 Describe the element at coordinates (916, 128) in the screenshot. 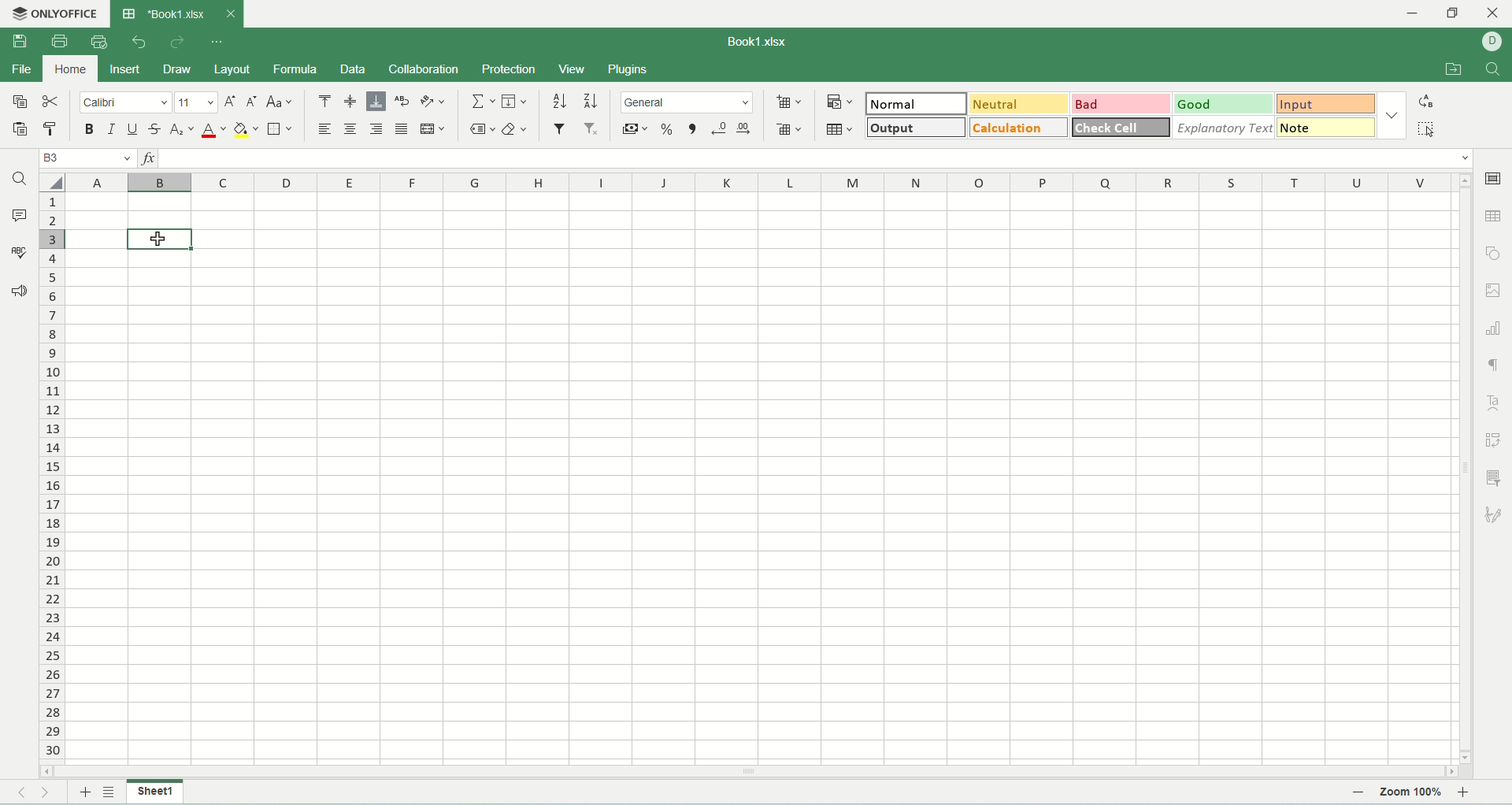

I see `output` at that location.